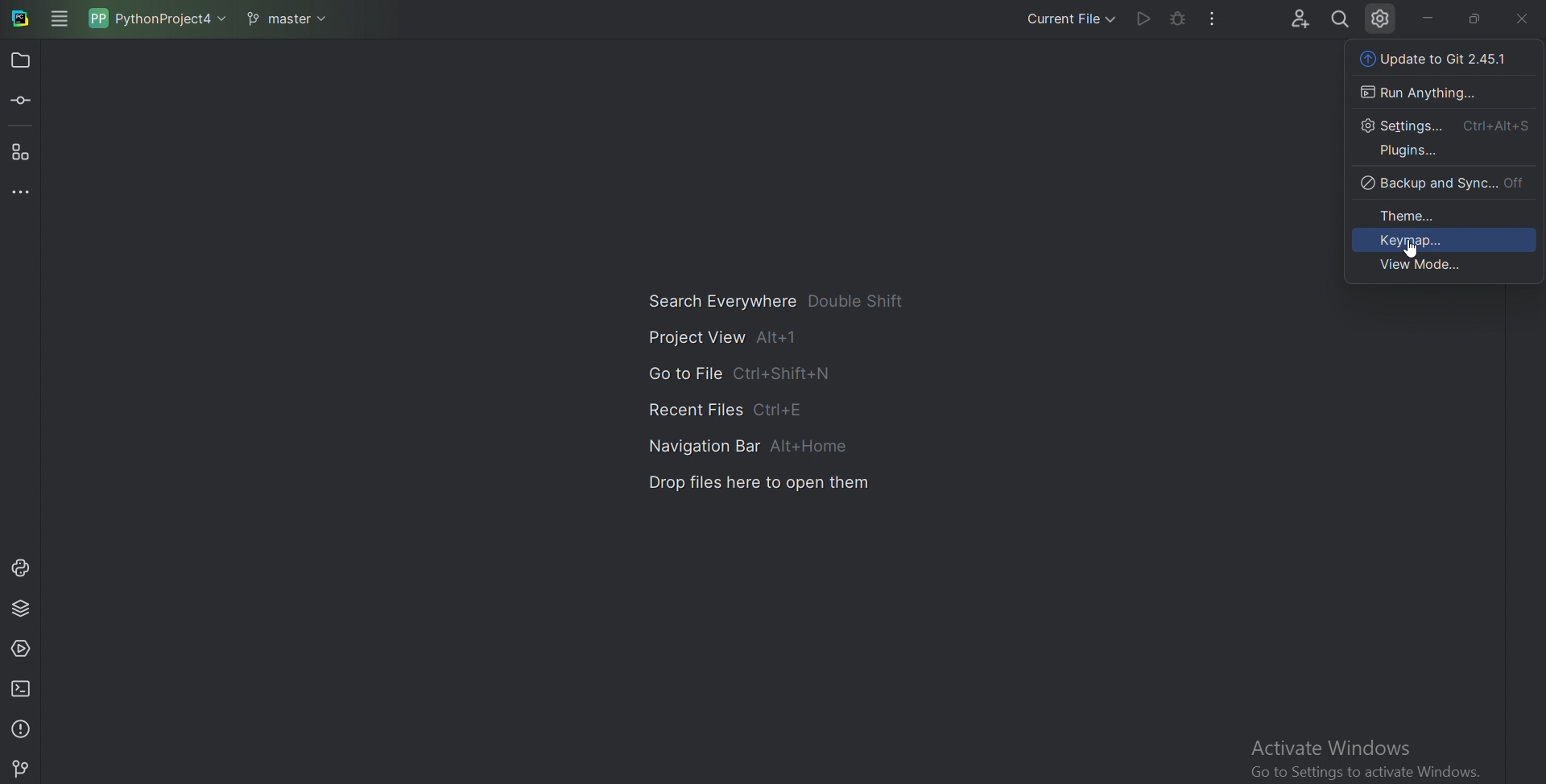 The image size is (1546, 784). I want to click on Restore down, so click(1471, 18).